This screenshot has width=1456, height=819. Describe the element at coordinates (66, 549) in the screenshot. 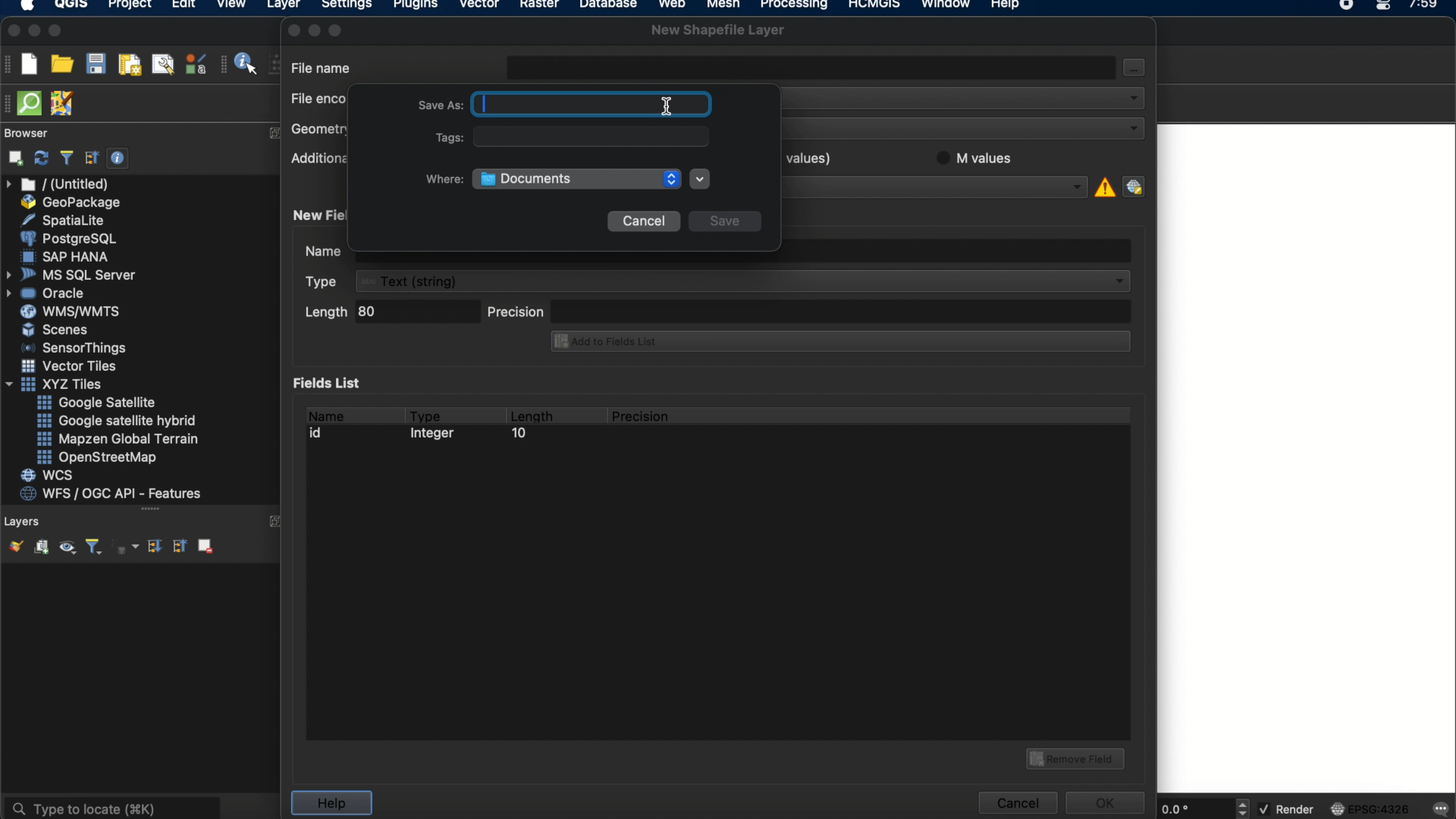

I see `manage map themes` at that location.